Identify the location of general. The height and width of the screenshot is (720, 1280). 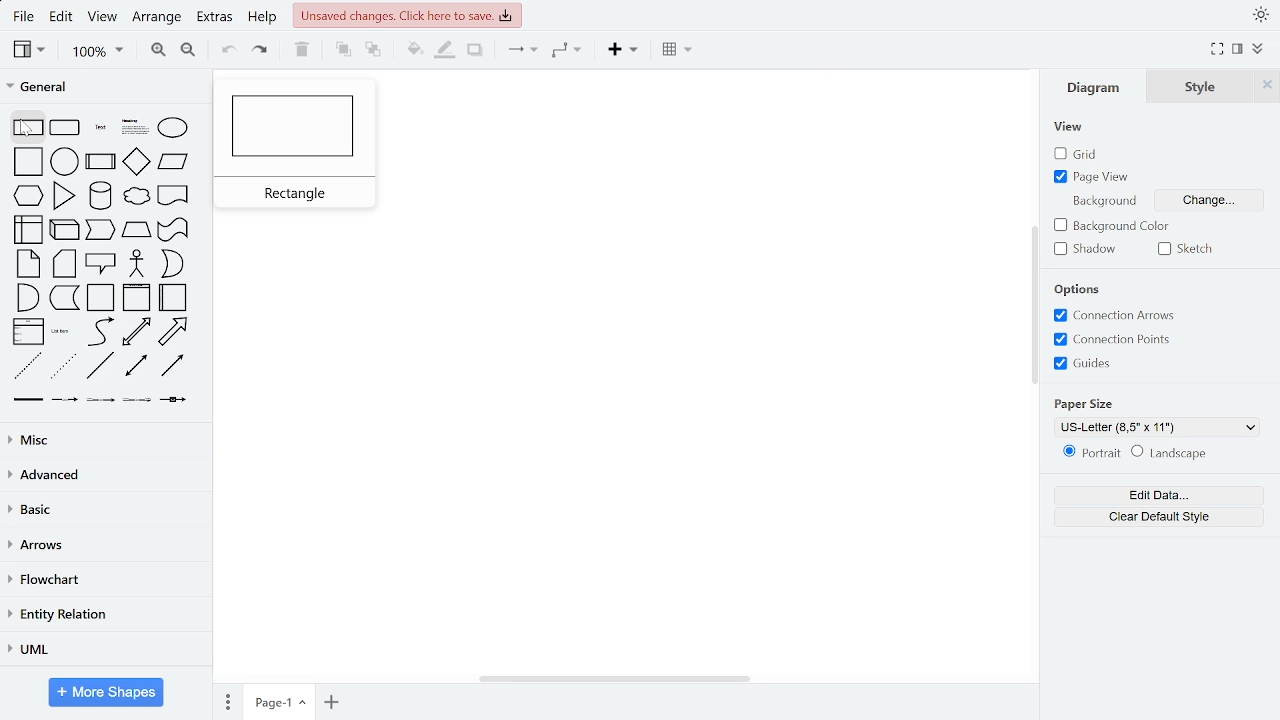
(104, 85).